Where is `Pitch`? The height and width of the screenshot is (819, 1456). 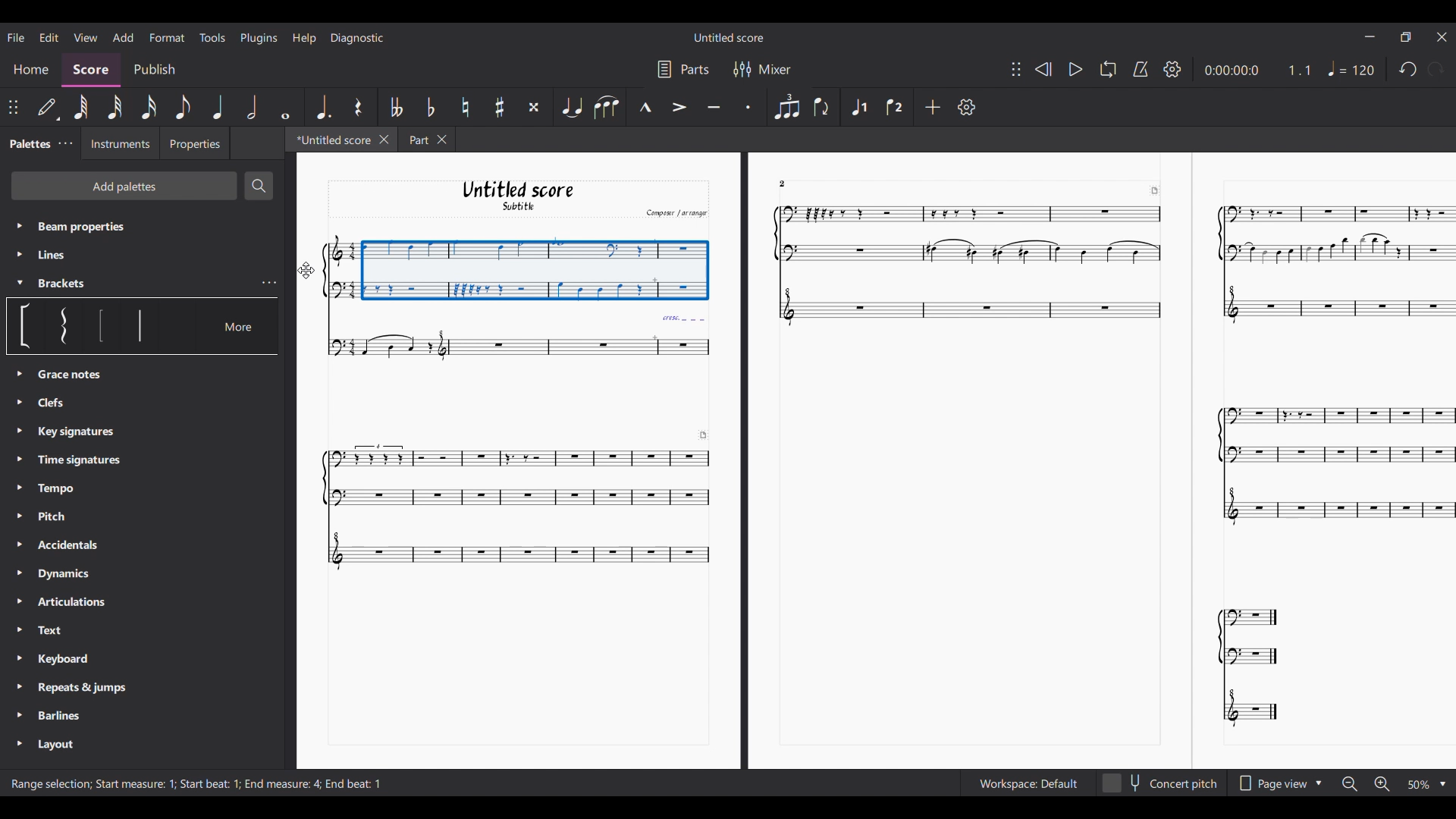
Pitch is located at coordinates (61, 518).